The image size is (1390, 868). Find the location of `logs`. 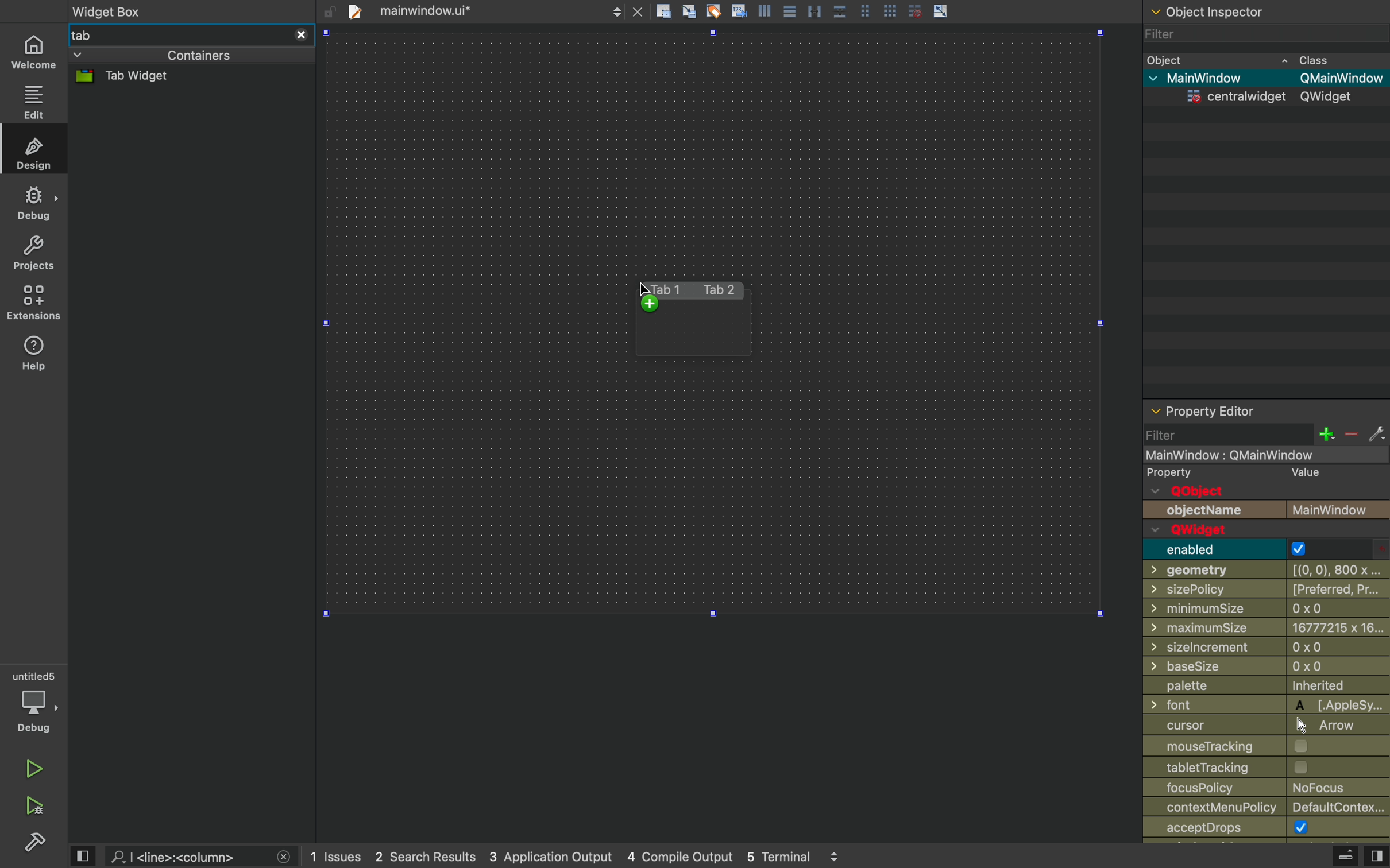

logs is located at coordinates (577, 857).